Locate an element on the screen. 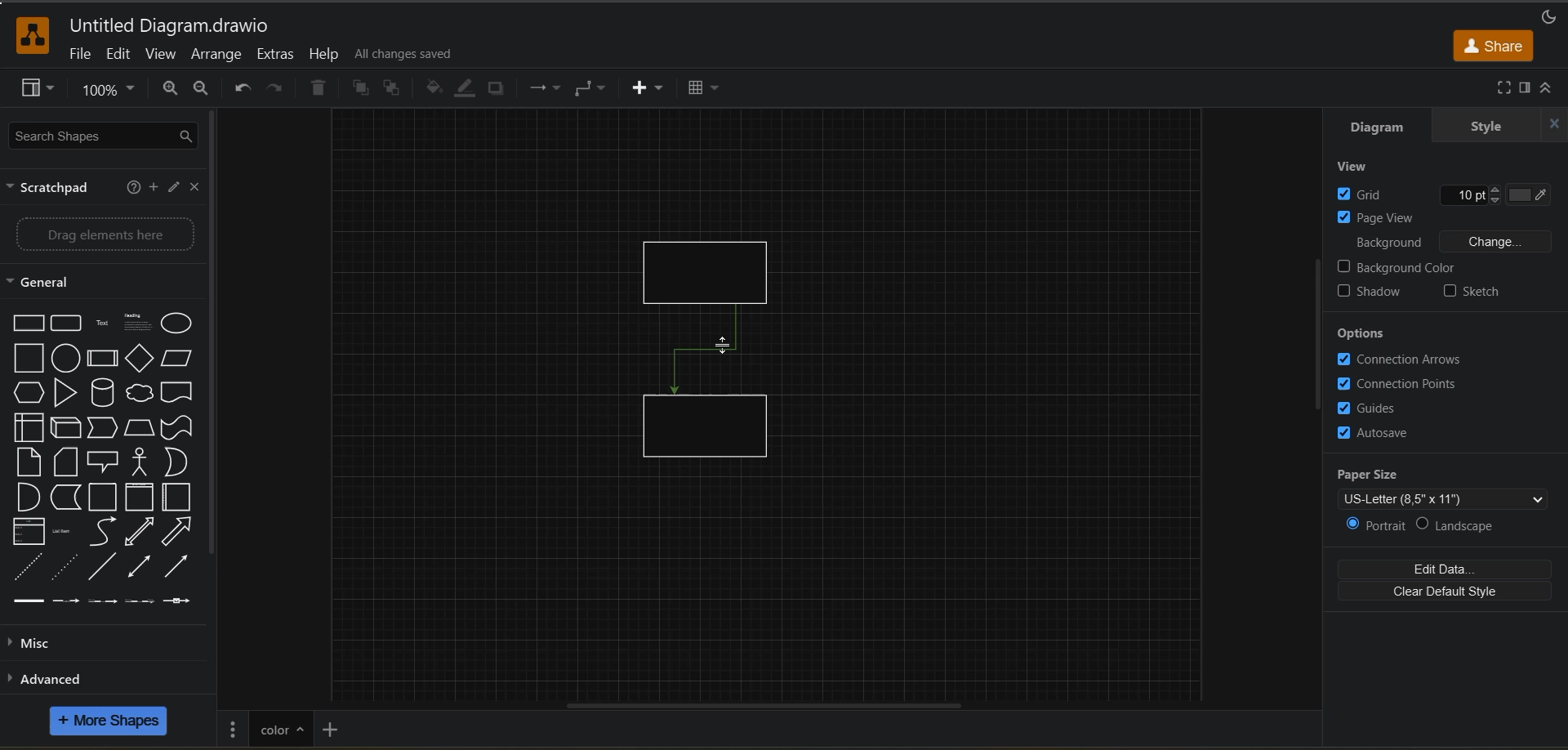 The image size is (1568, 750). insert page is located at coordinates (332, 728).